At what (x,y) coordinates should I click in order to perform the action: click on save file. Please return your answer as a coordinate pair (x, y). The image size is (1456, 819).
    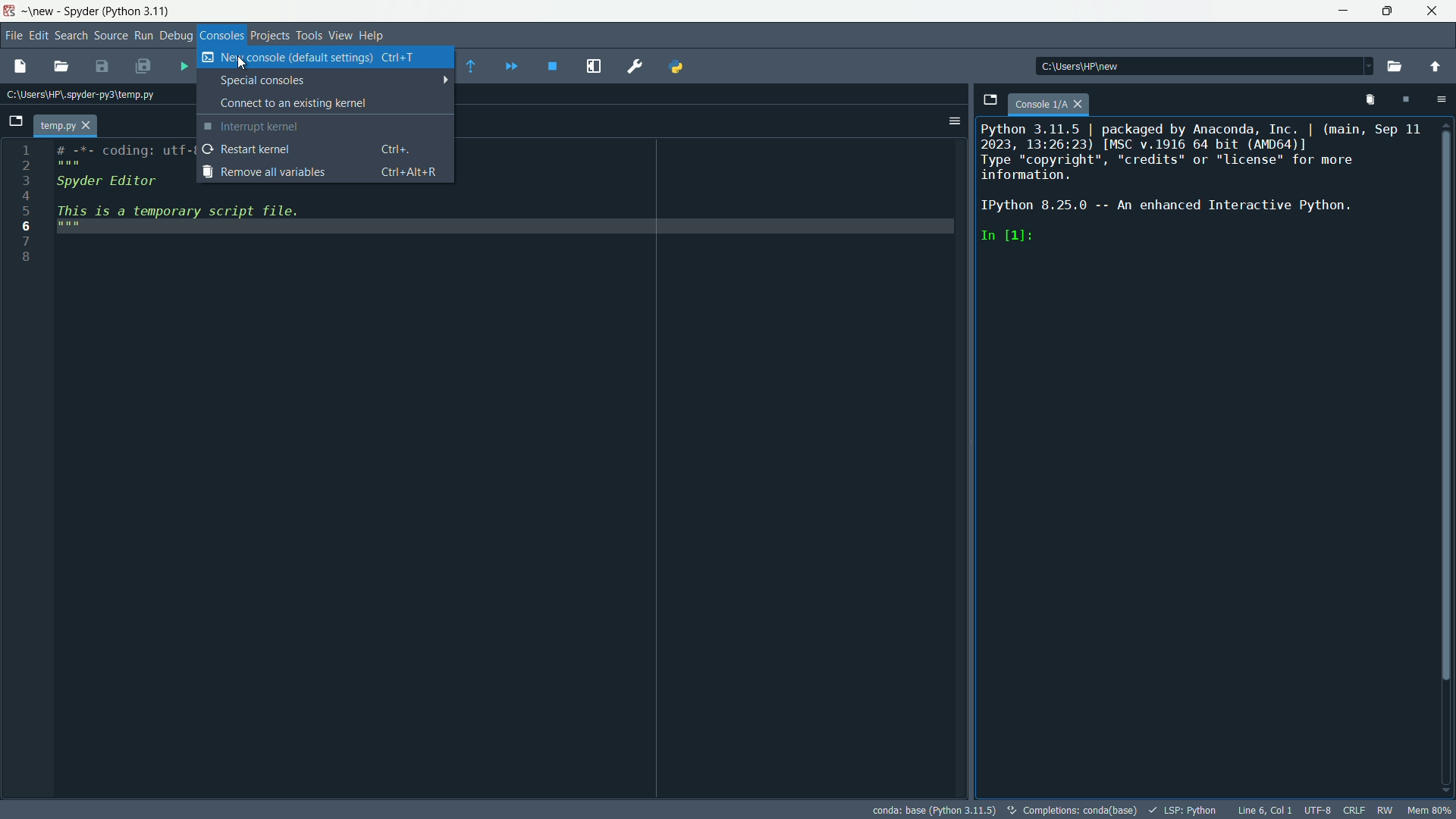
    Looking at the image, I should click on (103, 67).